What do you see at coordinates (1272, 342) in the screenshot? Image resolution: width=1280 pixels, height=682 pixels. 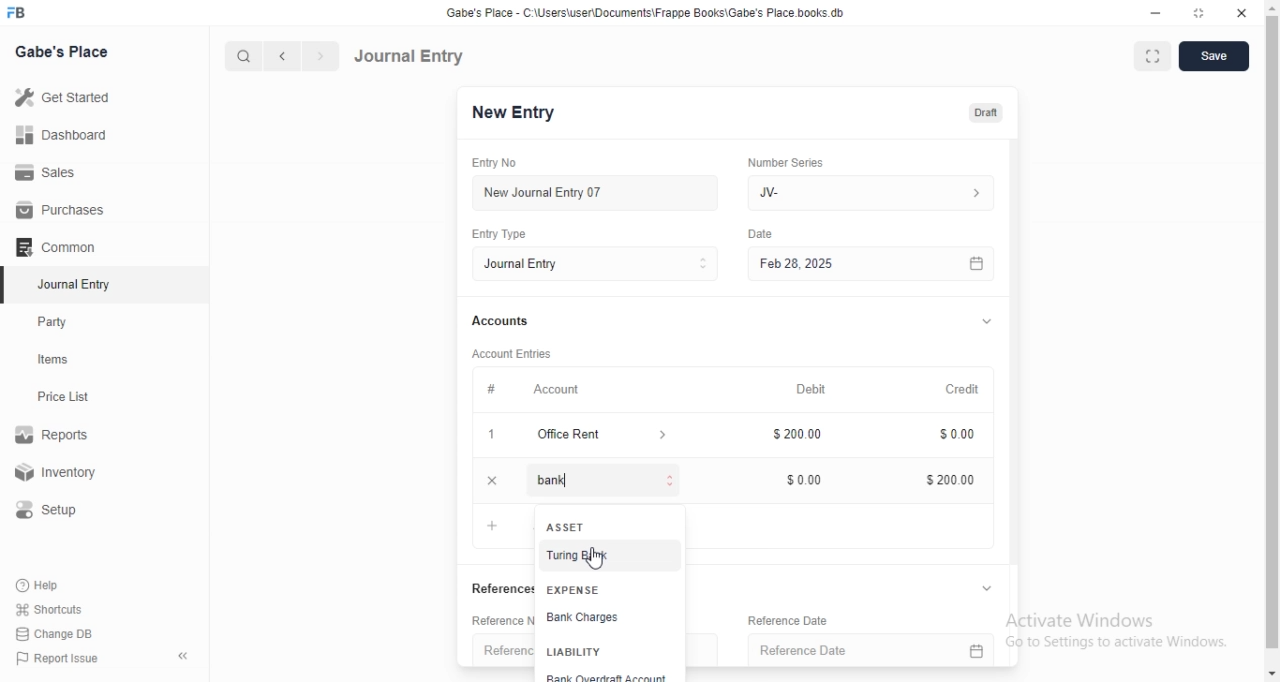 I see `scrollbar` at bounding box center [1272, 342].